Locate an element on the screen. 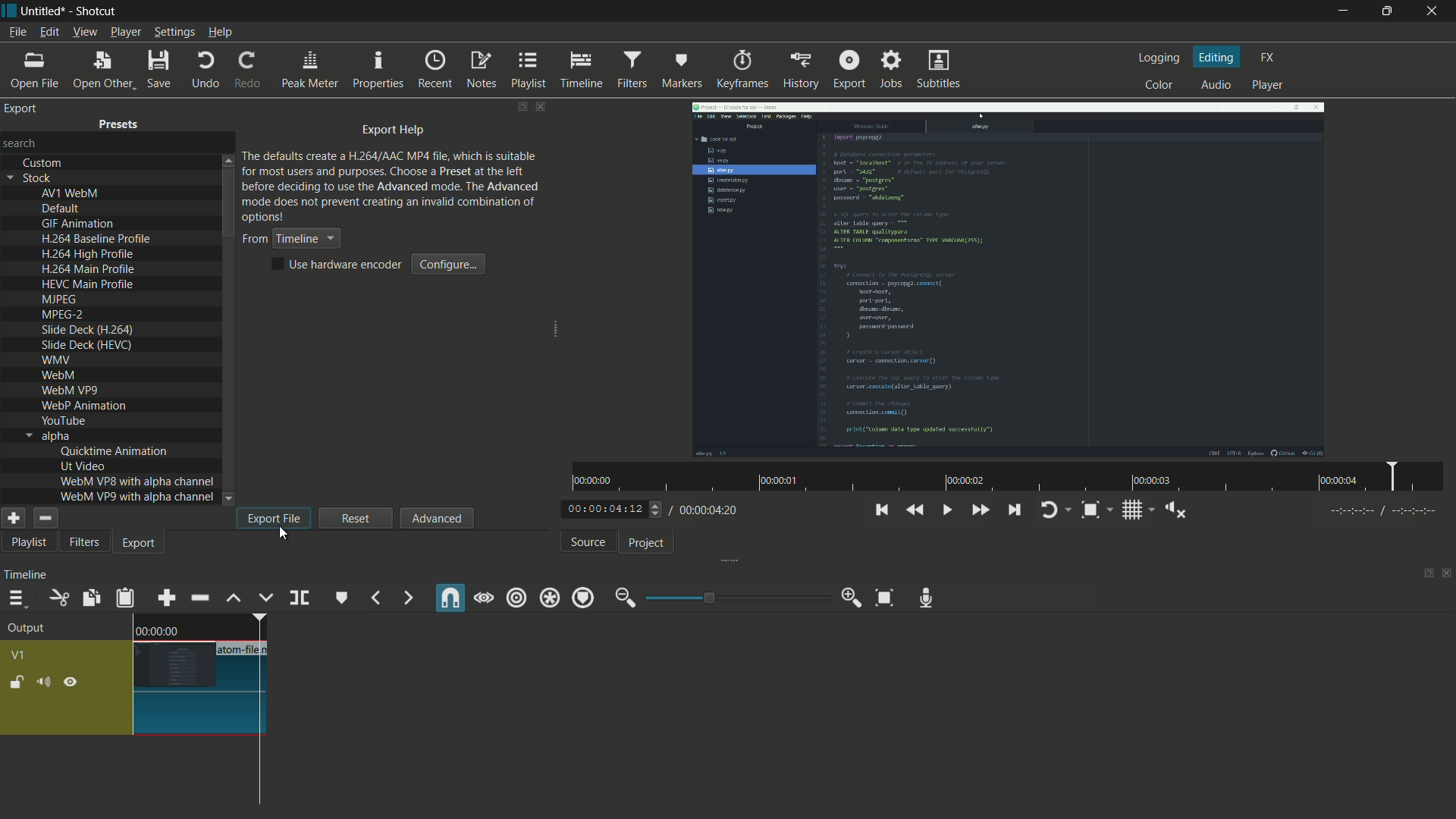 The width and height of the screenshot is (1456, 819). custom is located at coordinates (43, 163).